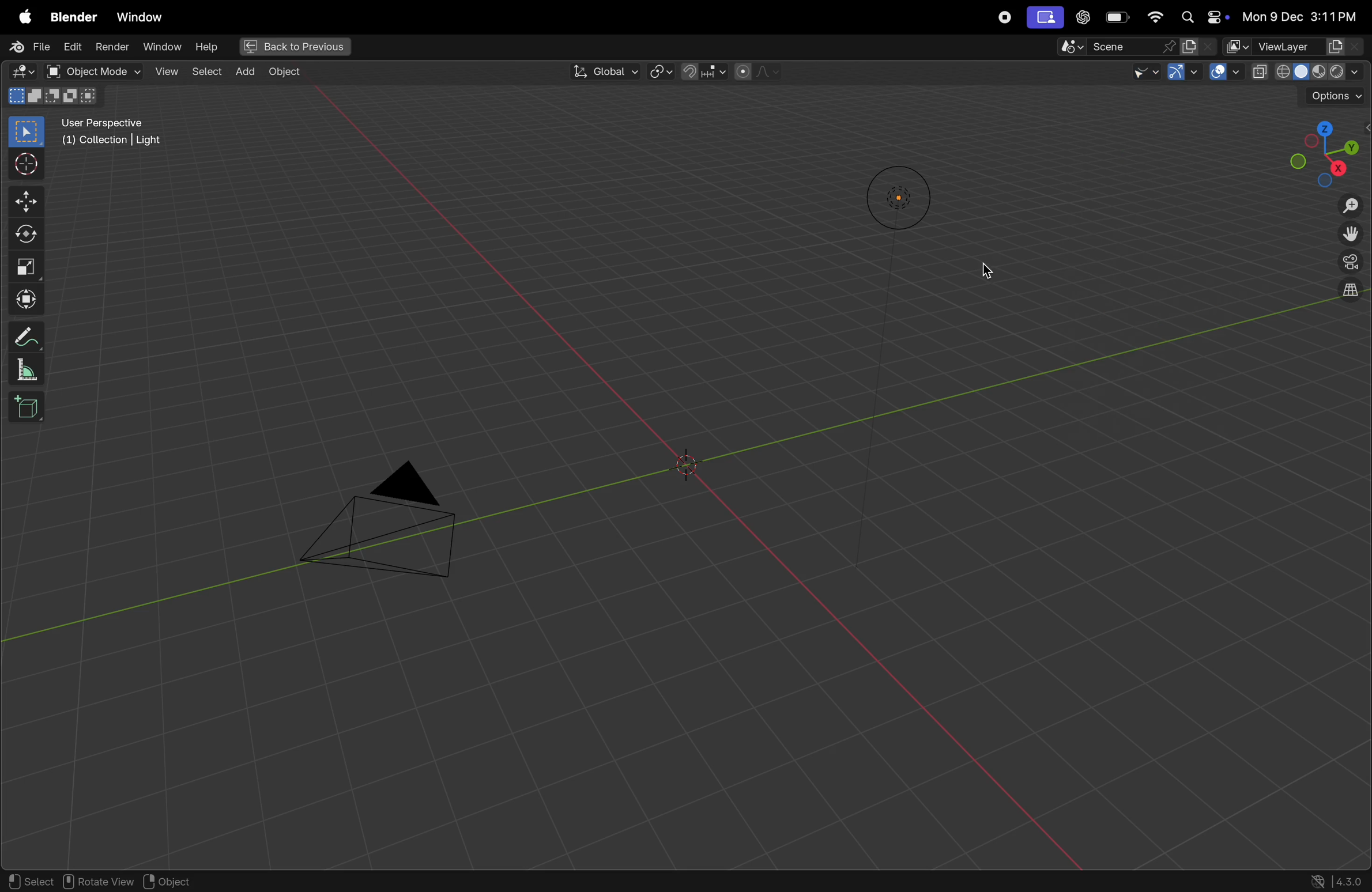 The height and width of the screenshot is (892, 1372). What do you see at coordinates (205, 71) in the screenshot?
I see `select` at bounding box center [205, 71].